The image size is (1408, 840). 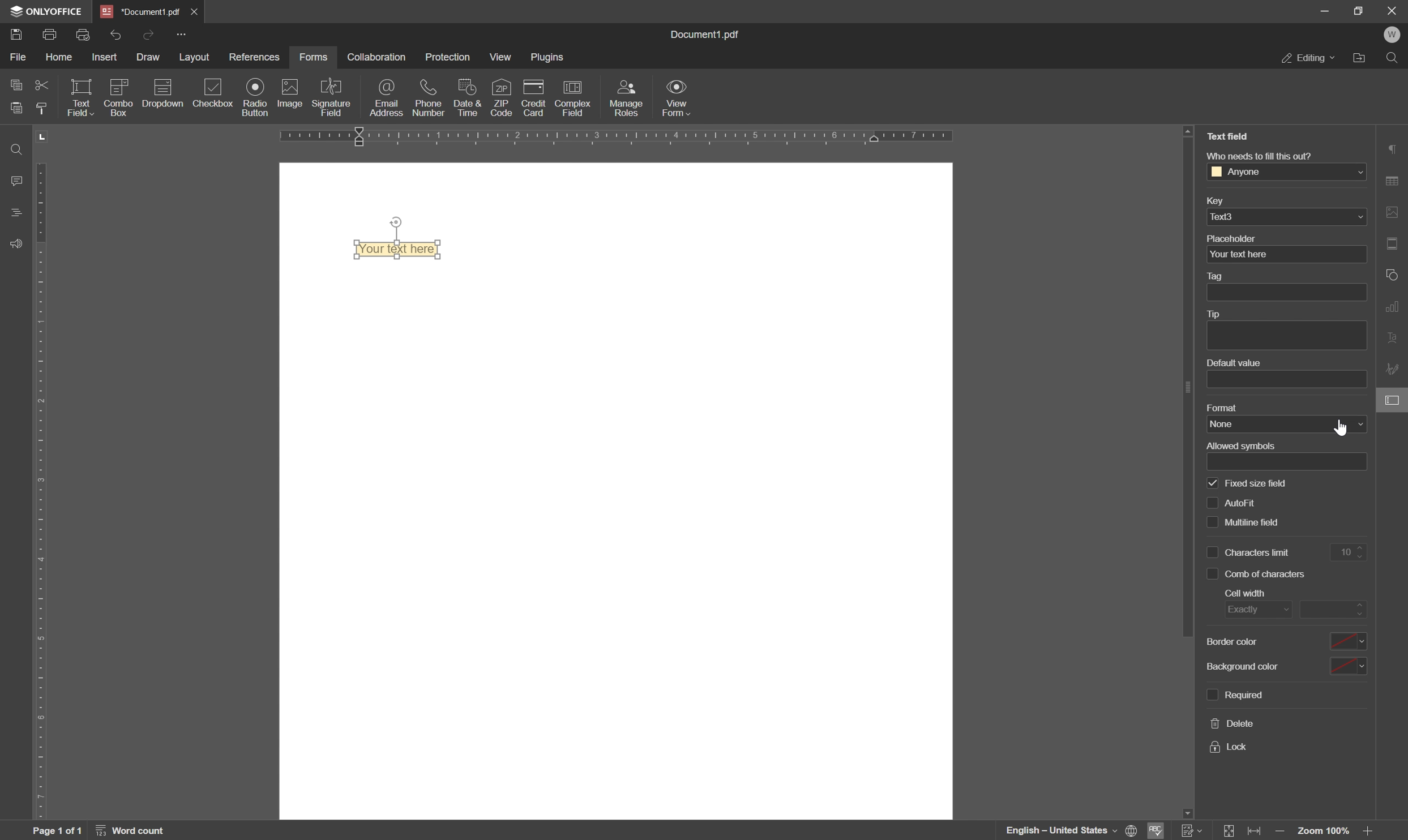 What do you see at coordinates (1393, 35) in the screenshot?
I see `welcome` at bounding box center [1393, 35].